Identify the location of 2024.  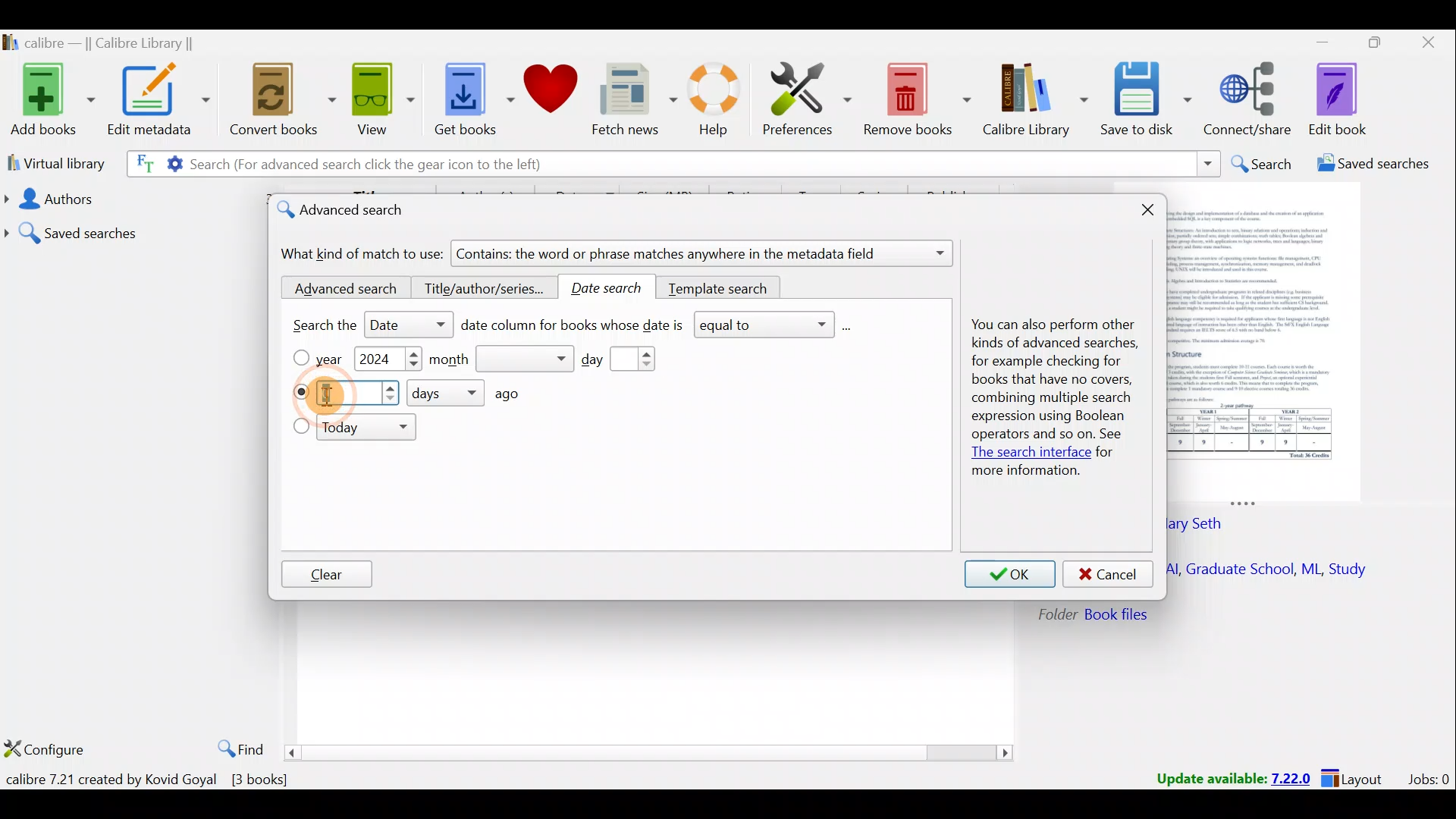
(376, 361).